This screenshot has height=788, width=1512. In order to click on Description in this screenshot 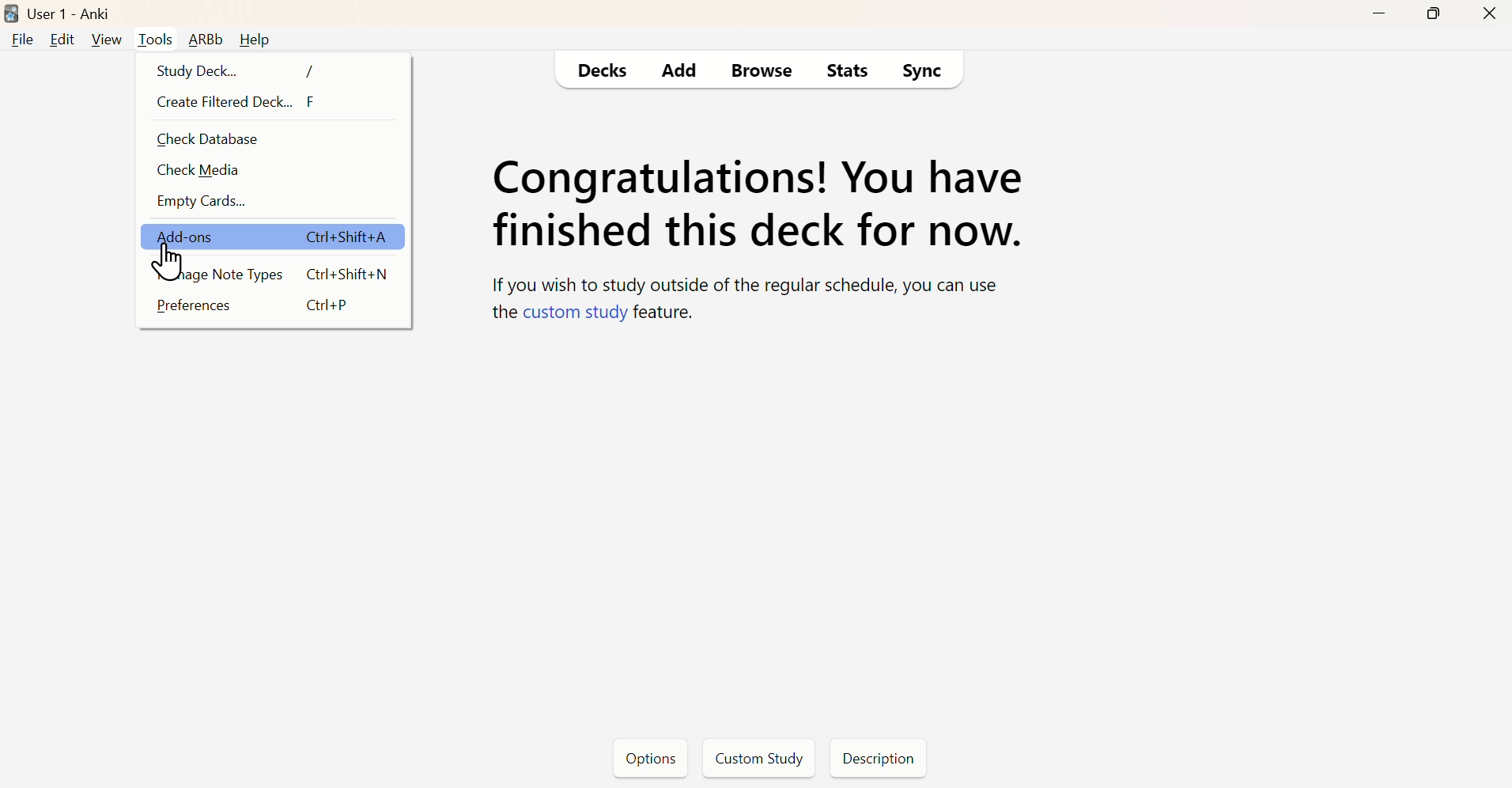, I will do `click(875, 757)`.